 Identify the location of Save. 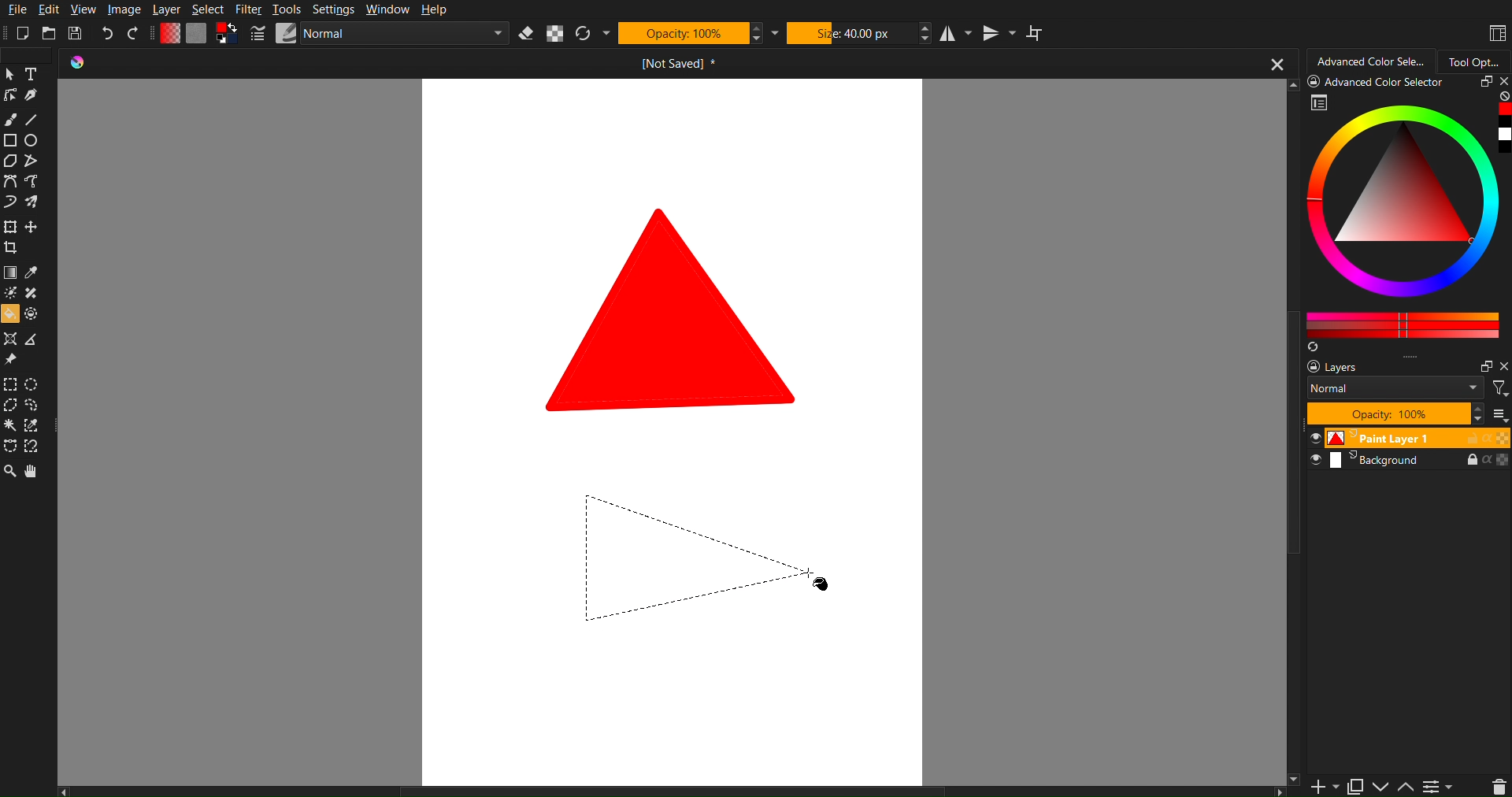
(77, 34).